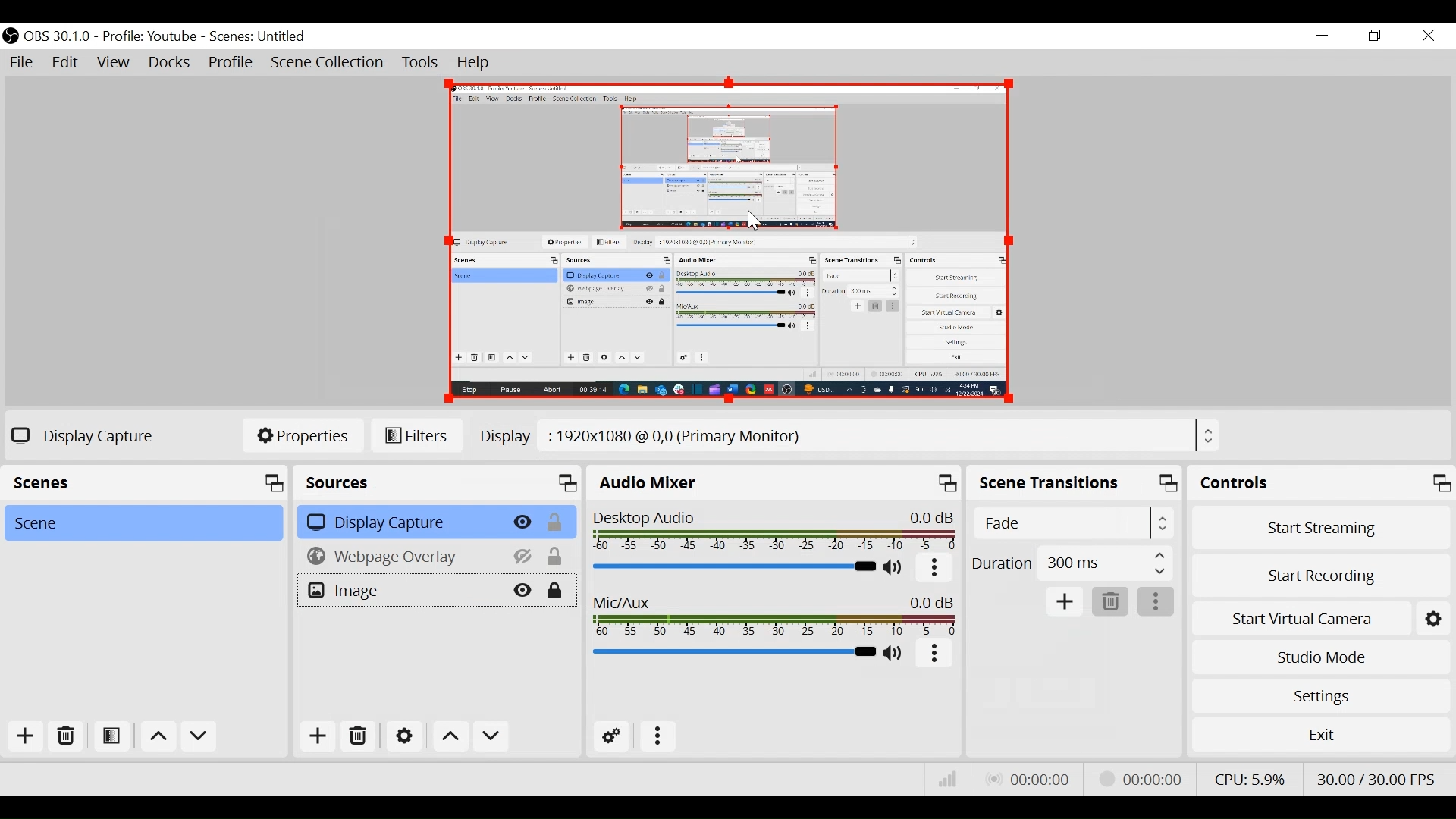 Image resolution: width=1456 pixels, height=819 pixels. What do you see at coordinates (522, 523) in the screenshot?
I see `Hide/Display` at bounding box center [522, 523].